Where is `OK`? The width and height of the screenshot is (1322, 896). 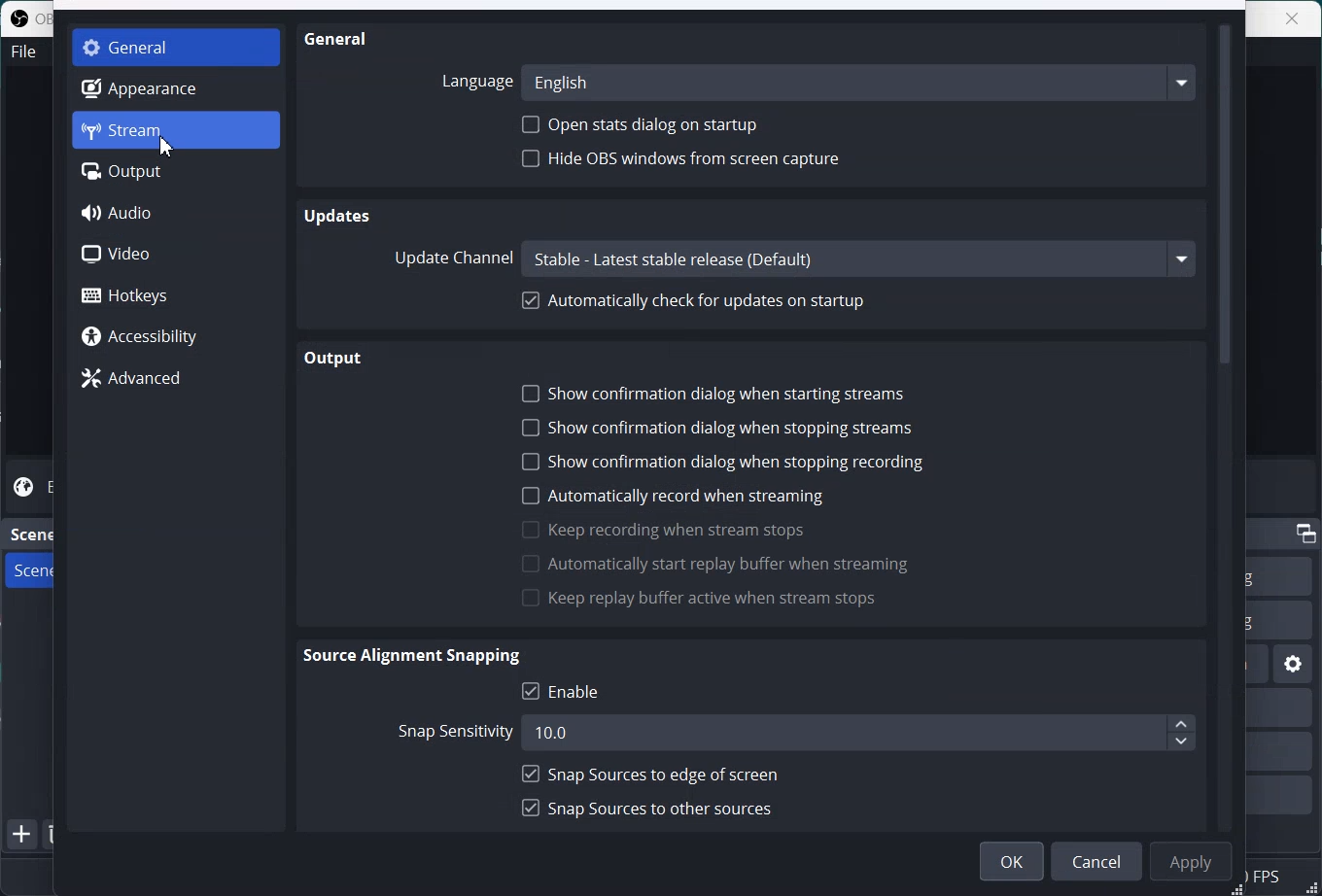 OK is located at coordinates (1012, 860).